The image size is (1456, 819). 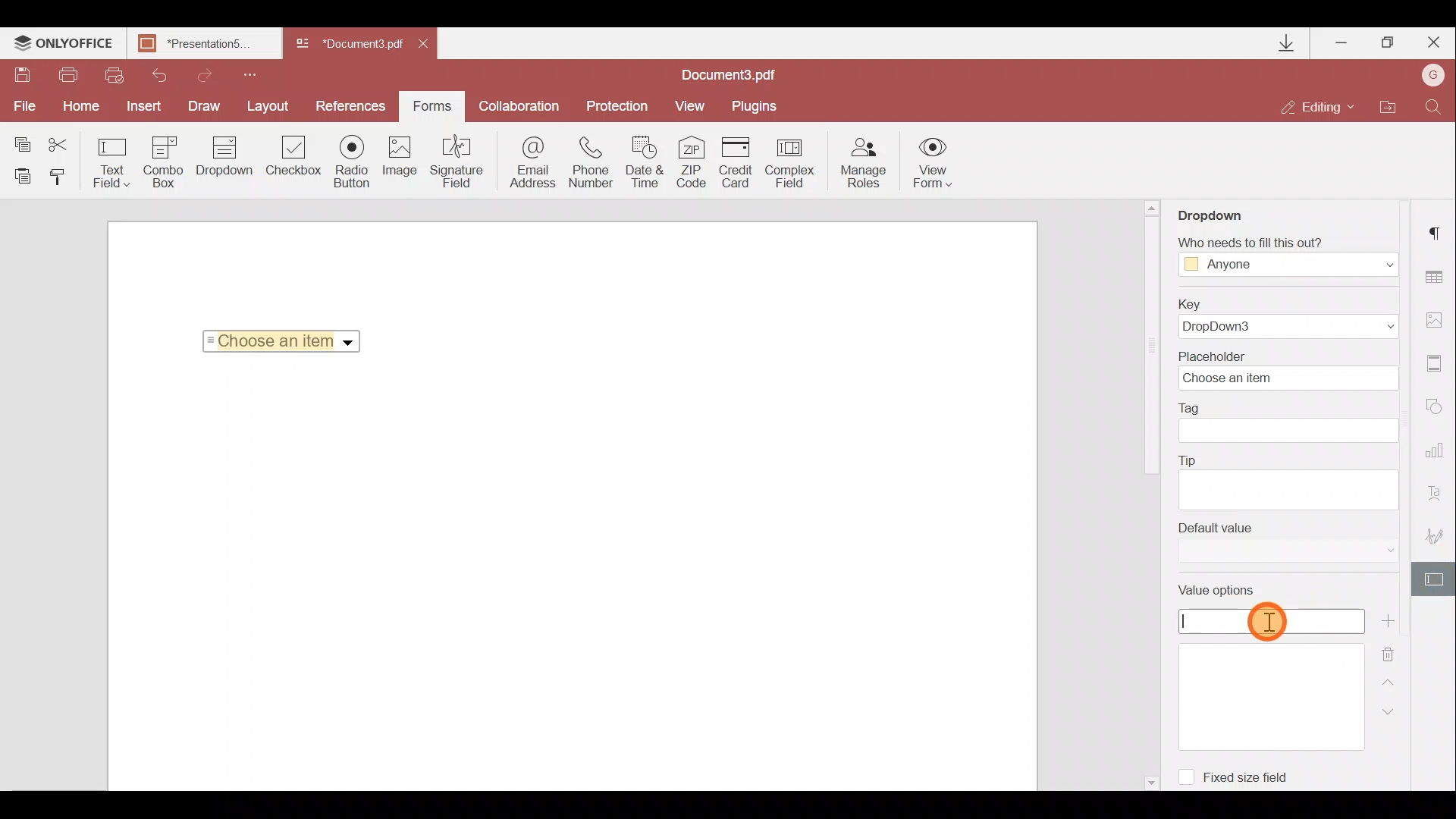 What do you see at coordinates (209, 45) in the screenshot?
I see `Document name` at bounding box center [209, 45].